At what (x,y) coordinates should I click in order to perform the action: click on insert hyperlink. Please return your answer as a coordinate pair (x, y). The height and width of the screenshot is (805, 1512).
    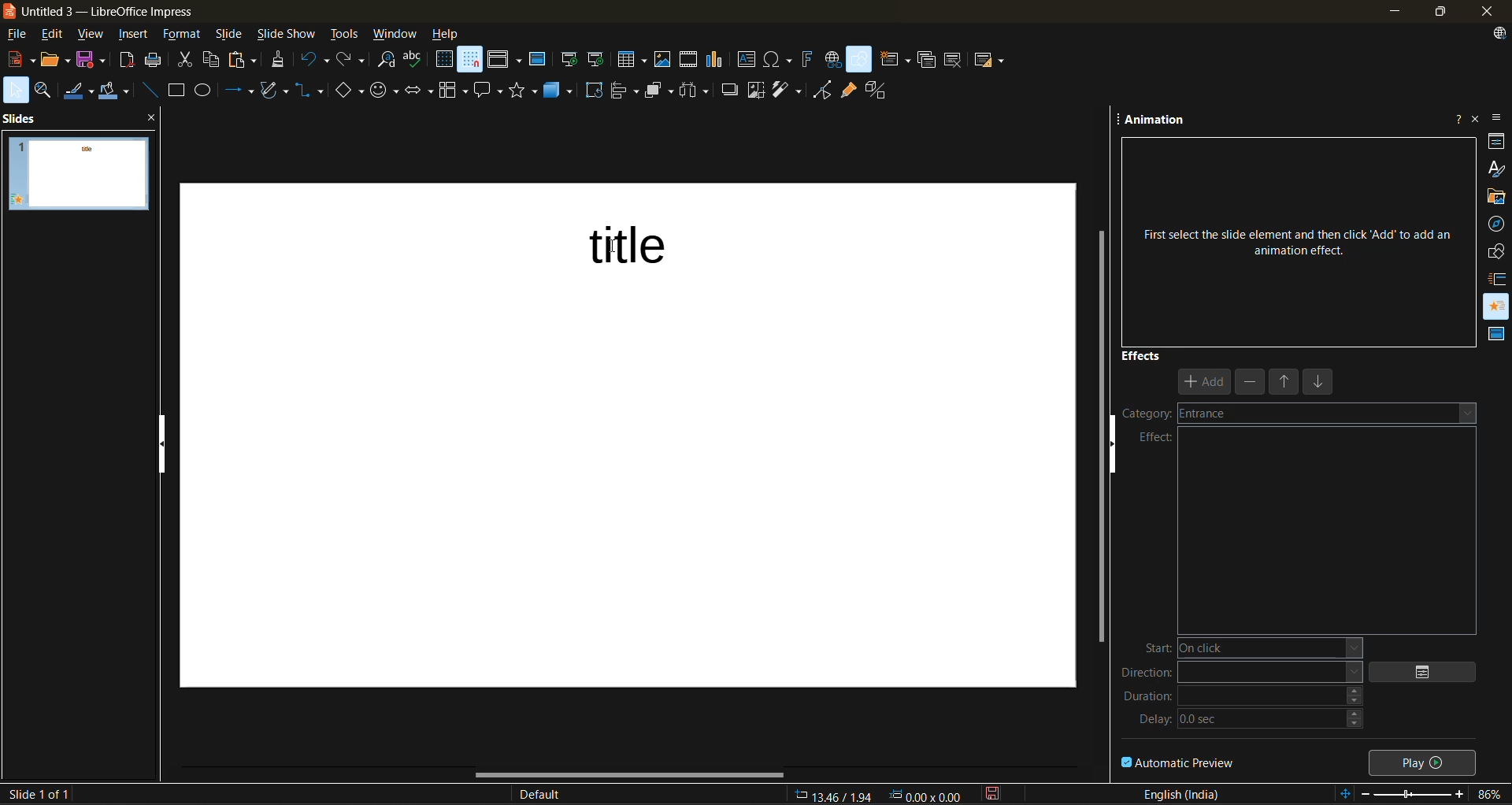
    Looking at the image, I should click on (832, 59).